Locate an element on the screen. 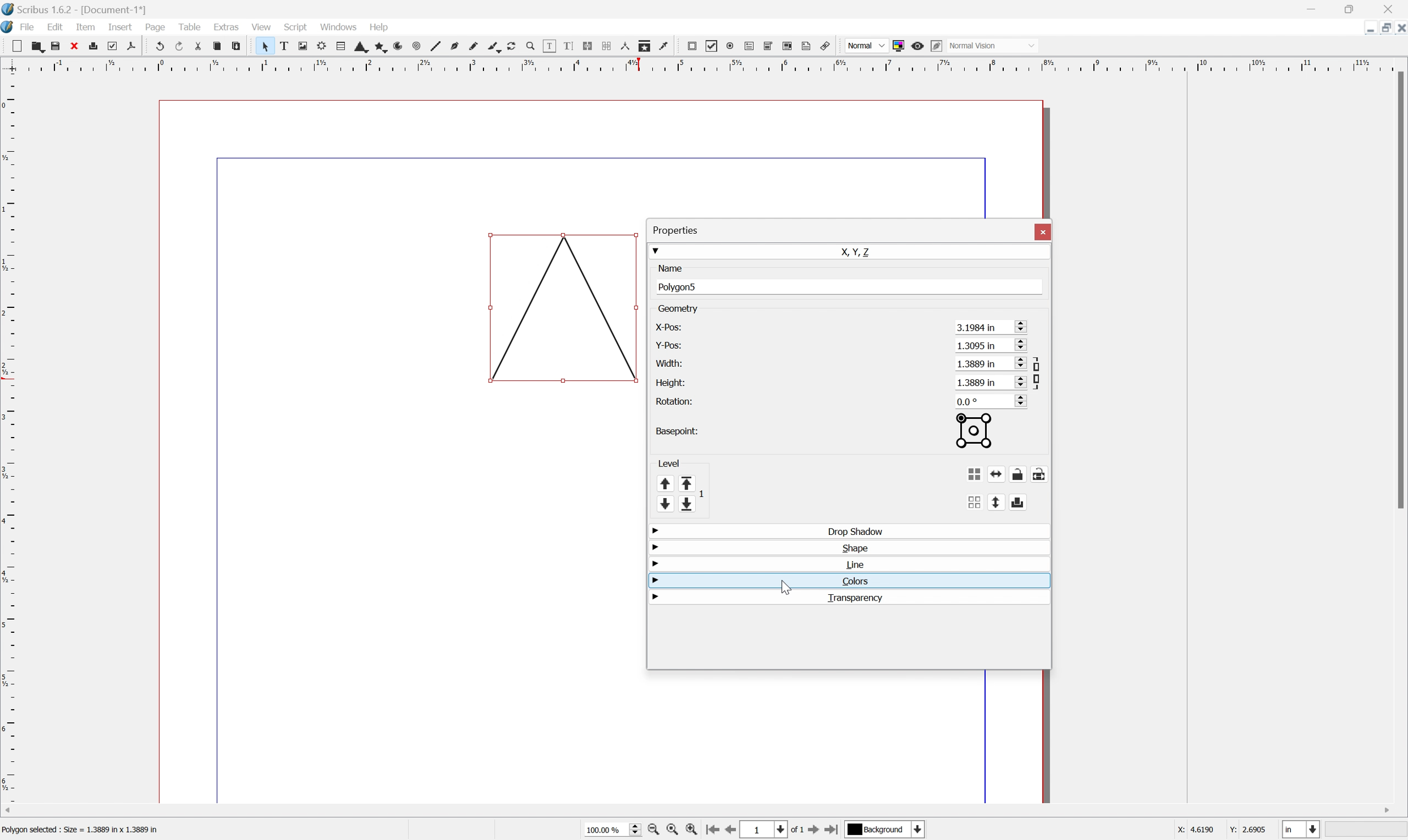 This screenshot has width=1408, height=840. View is located at coordinates (263, 27).